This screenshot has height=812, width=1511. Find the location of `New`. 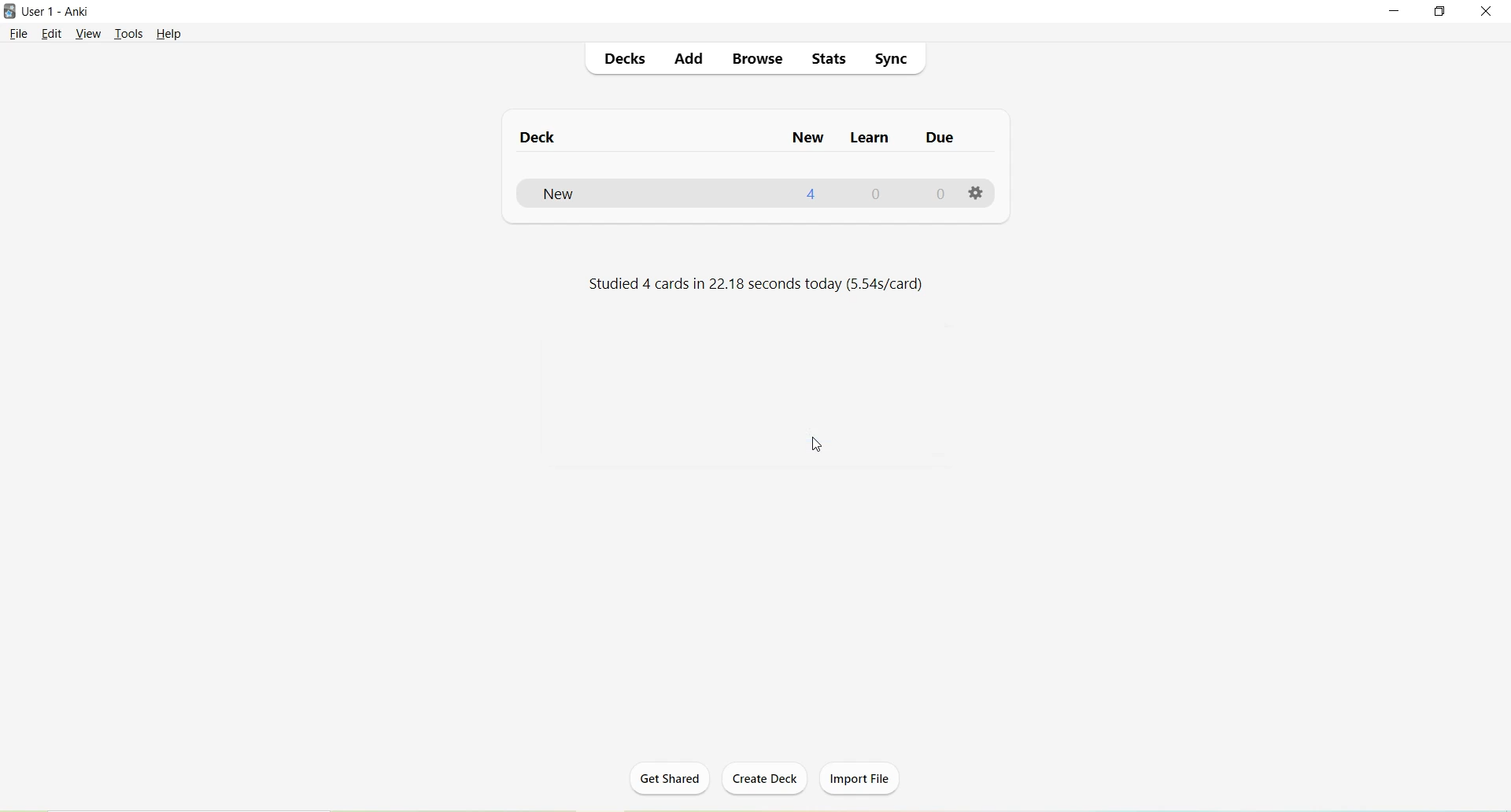

New is located at coordinates (807, 139).